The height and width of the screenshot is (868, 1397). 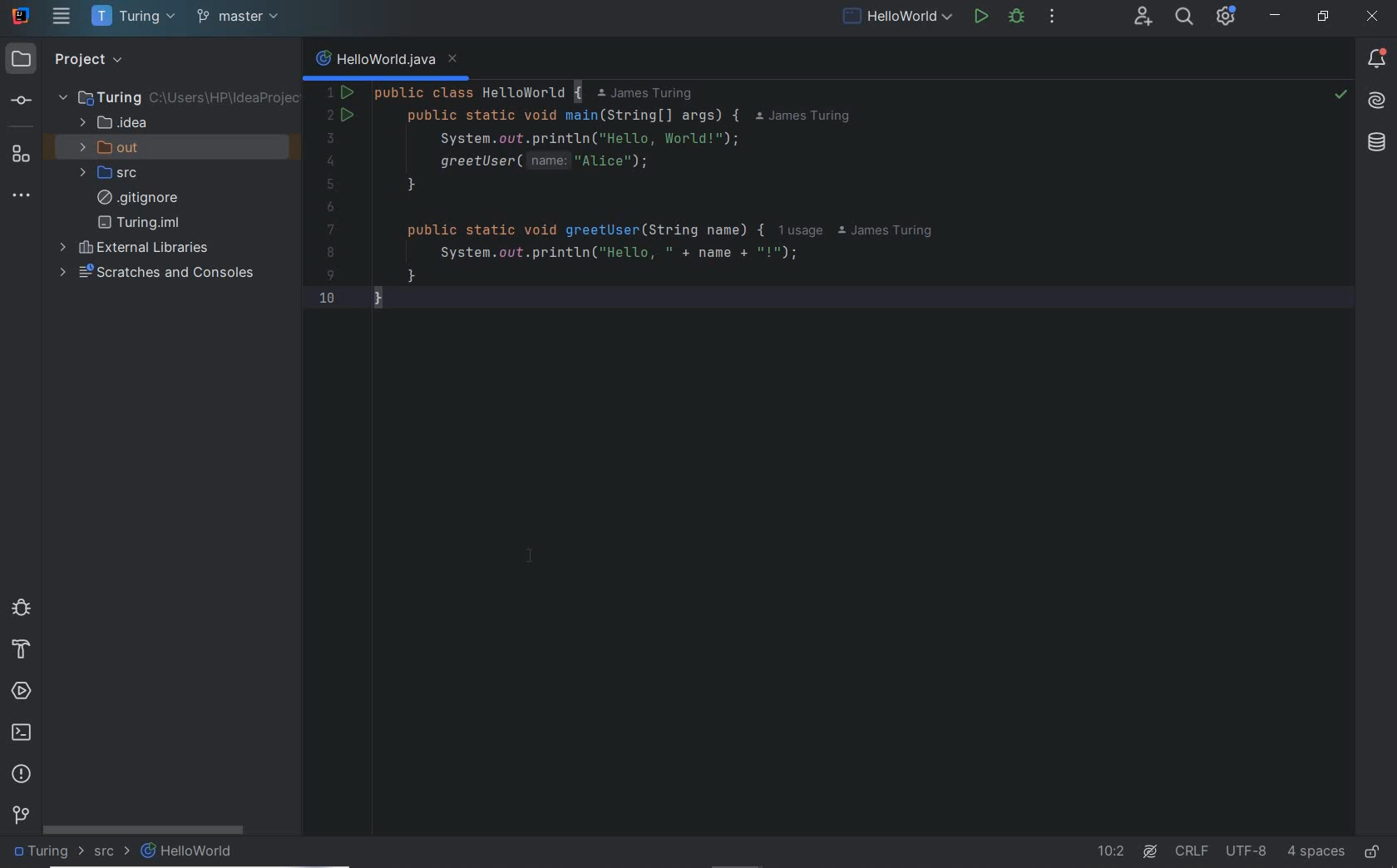 I want to click on SCROLLBAR, so click(x=144, y=827).